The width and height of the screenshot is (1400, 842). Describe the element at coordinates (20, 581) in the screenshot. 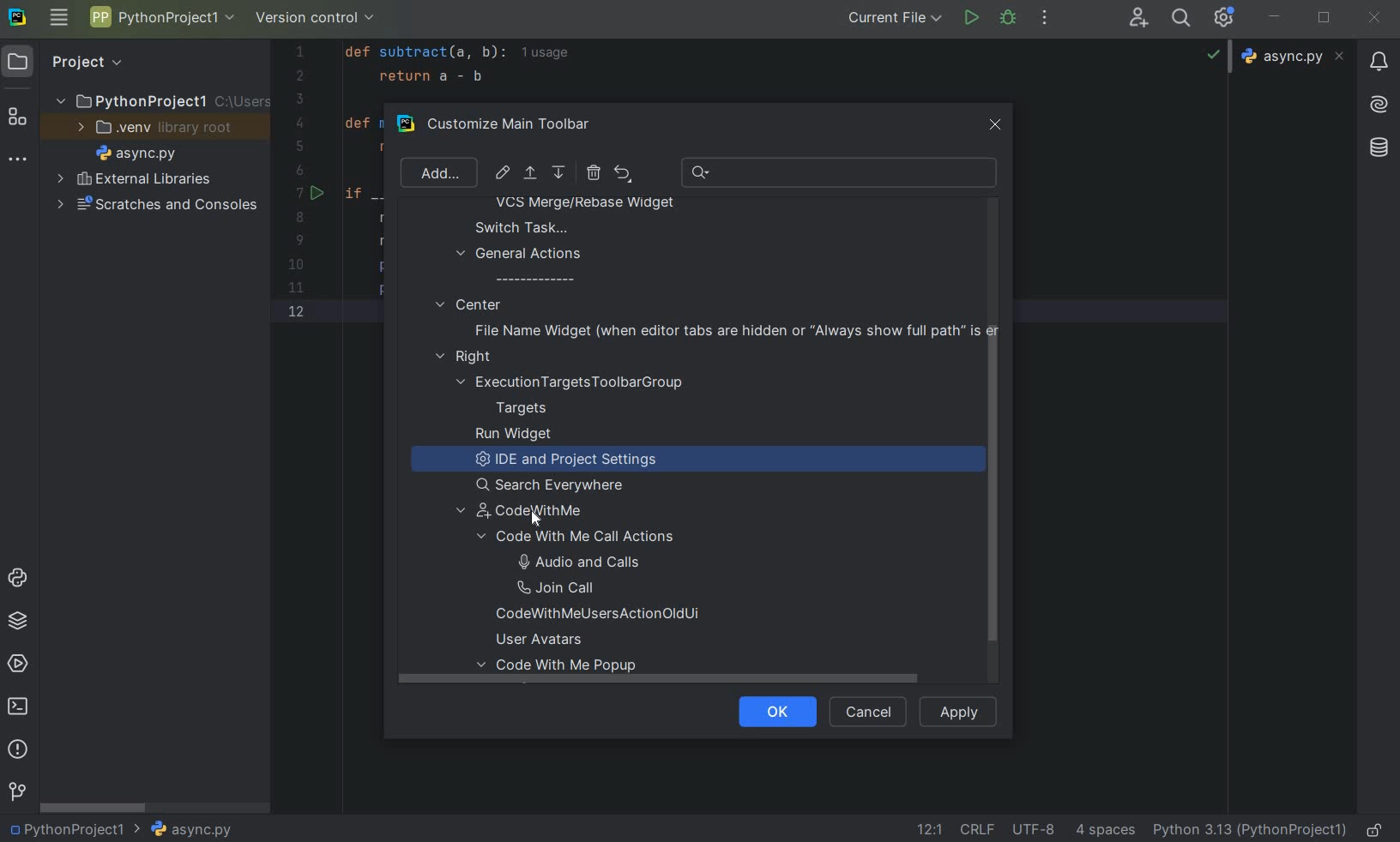

I see `PYTHON CONSOLE` at that location.